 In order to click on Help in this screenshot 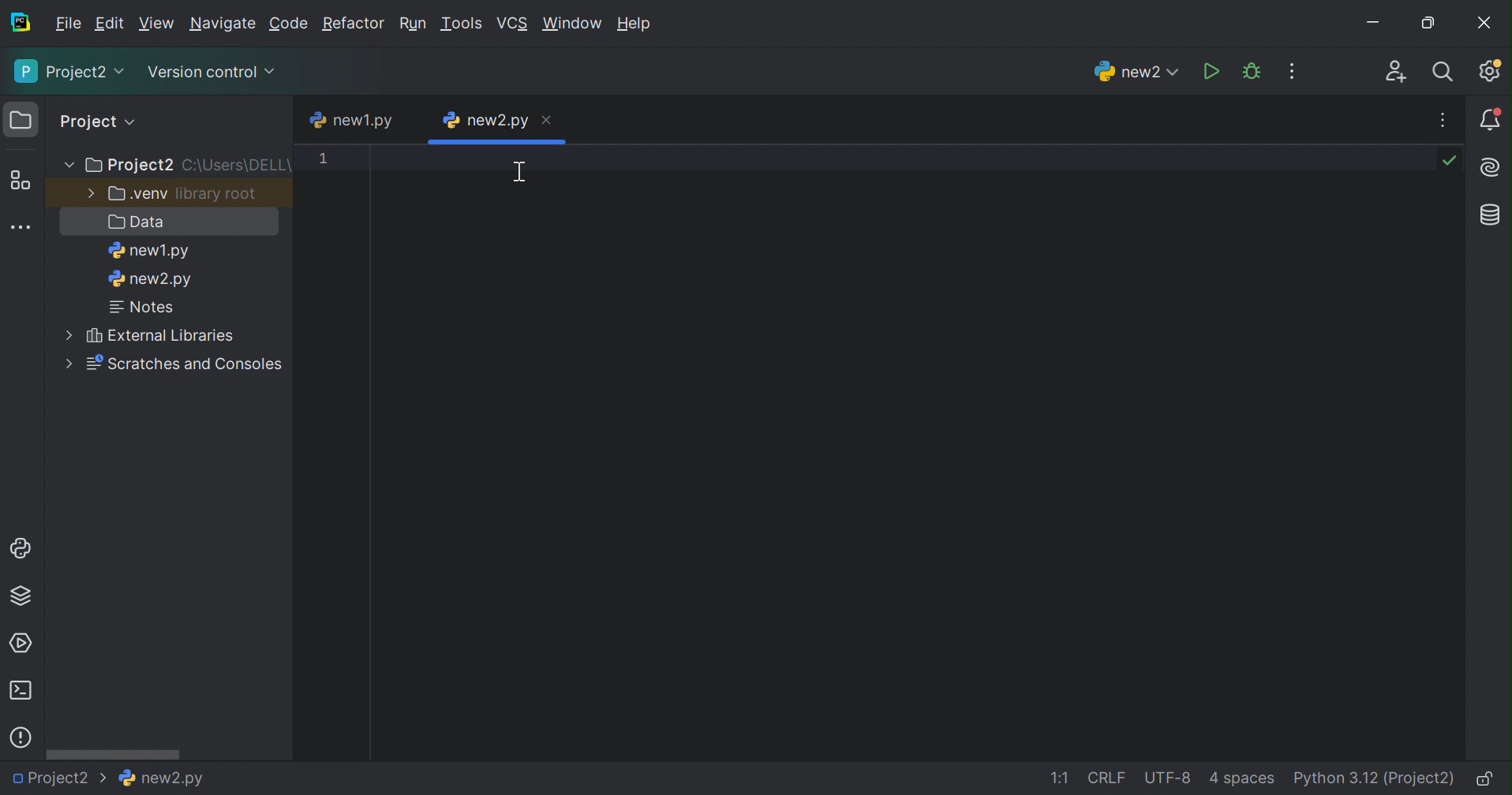, I will do `click(636, 22)`.